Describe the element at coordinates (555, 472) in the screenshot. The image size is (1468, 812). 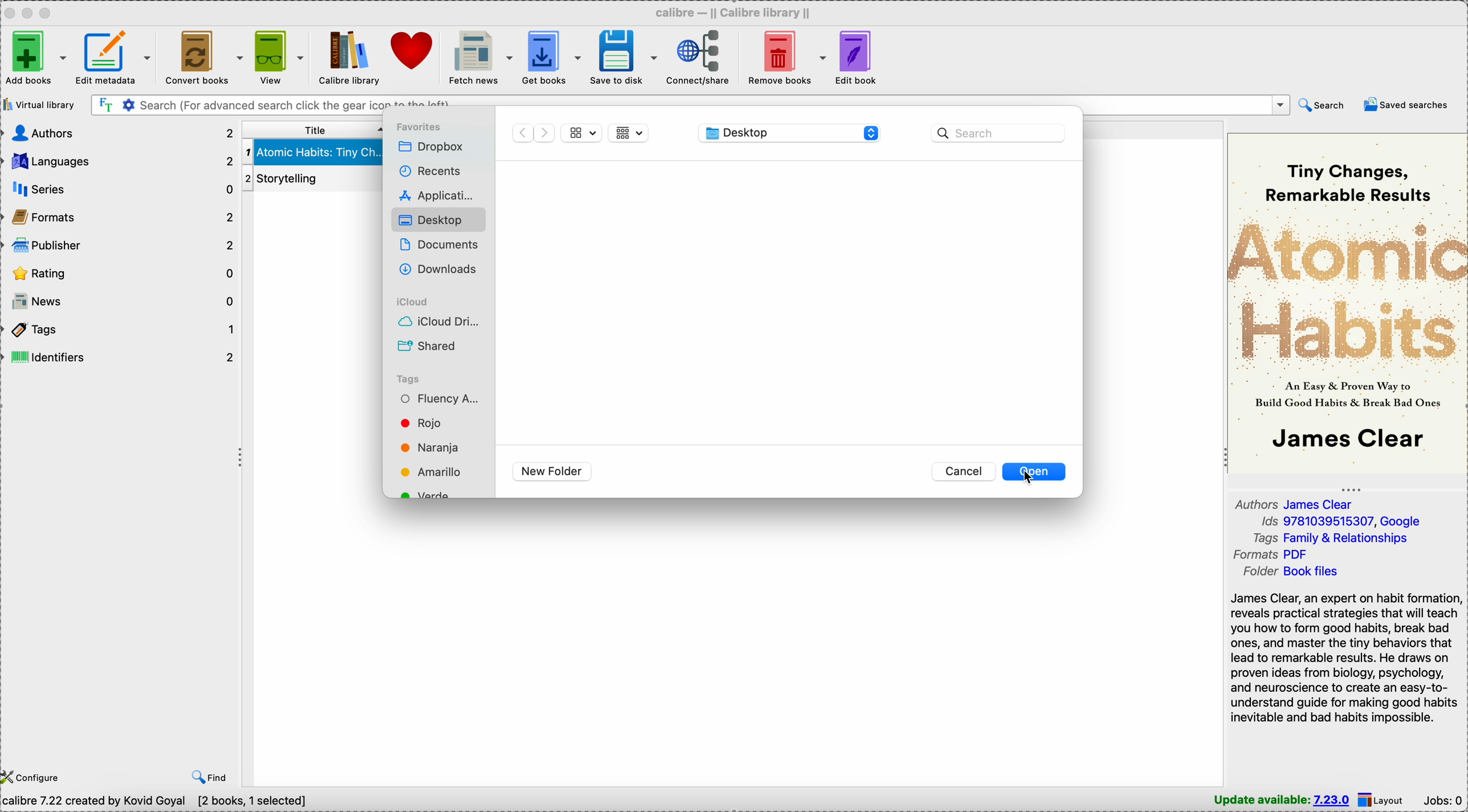
I see `new folder` at that location.